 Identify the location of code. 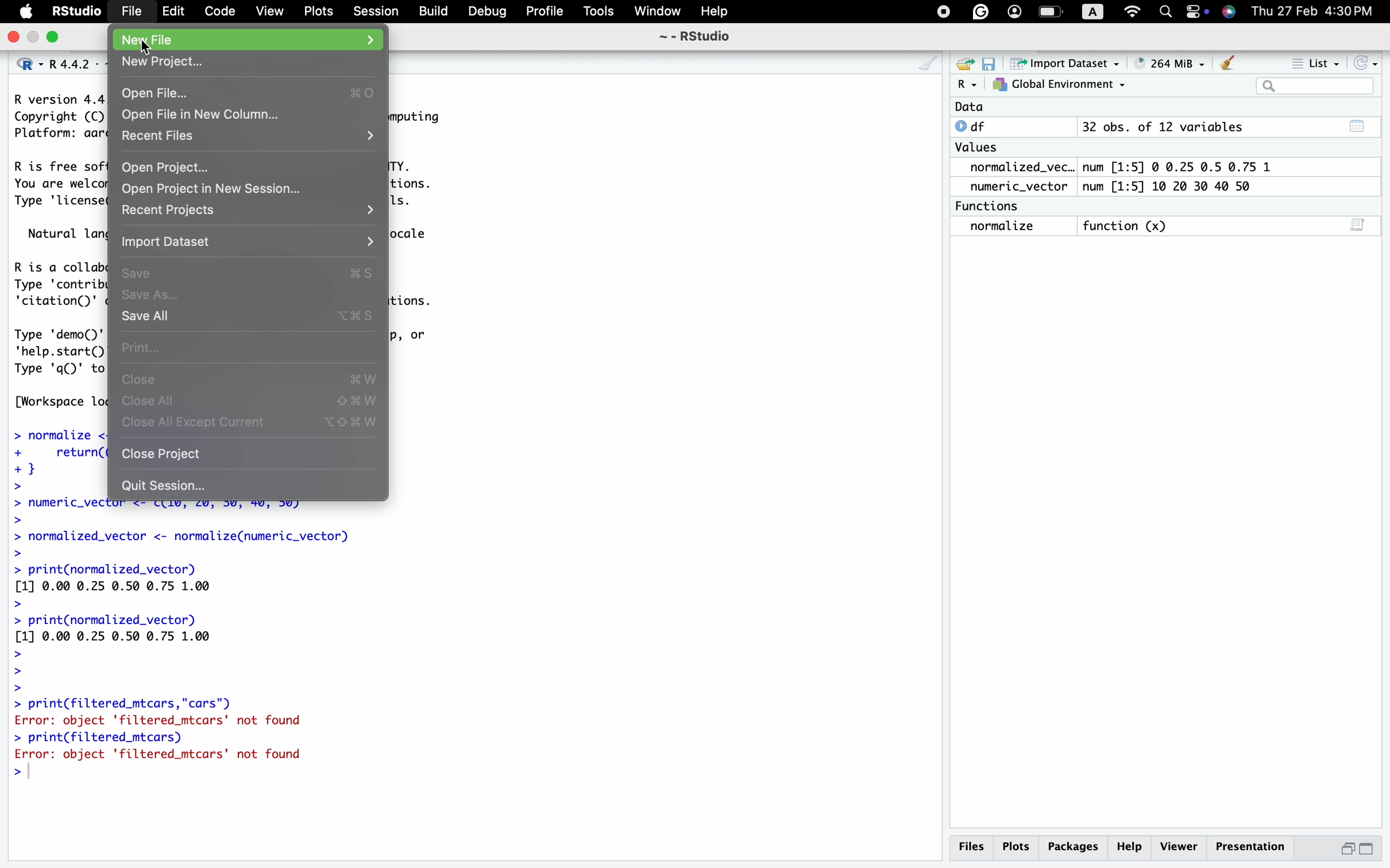
(218, 11).